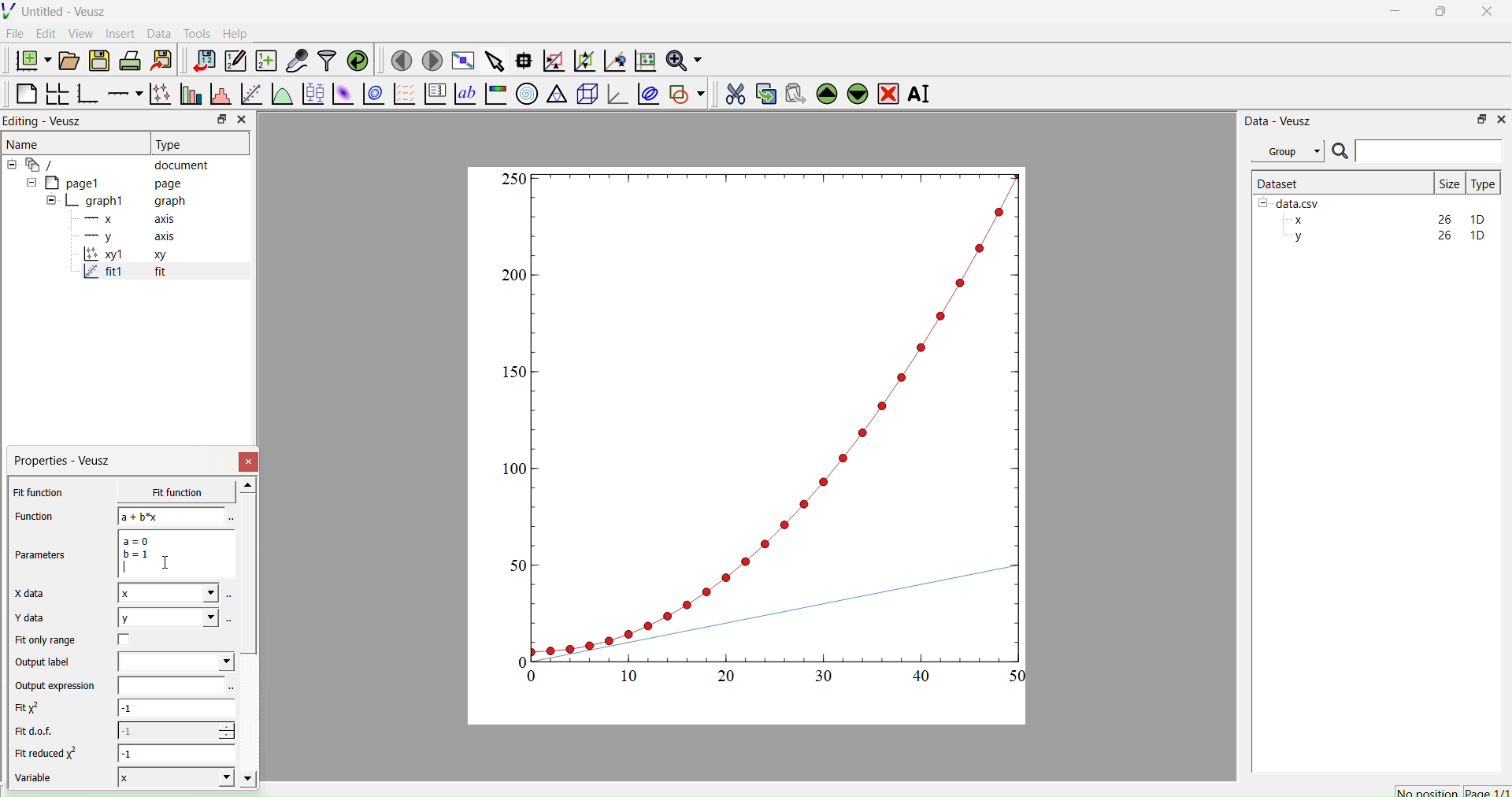 The width and height of the screenshot is (1512, 797). Describe the element at coordinates (49, 753) in the screenshot. I see `Fit reduced x^2` at that location.